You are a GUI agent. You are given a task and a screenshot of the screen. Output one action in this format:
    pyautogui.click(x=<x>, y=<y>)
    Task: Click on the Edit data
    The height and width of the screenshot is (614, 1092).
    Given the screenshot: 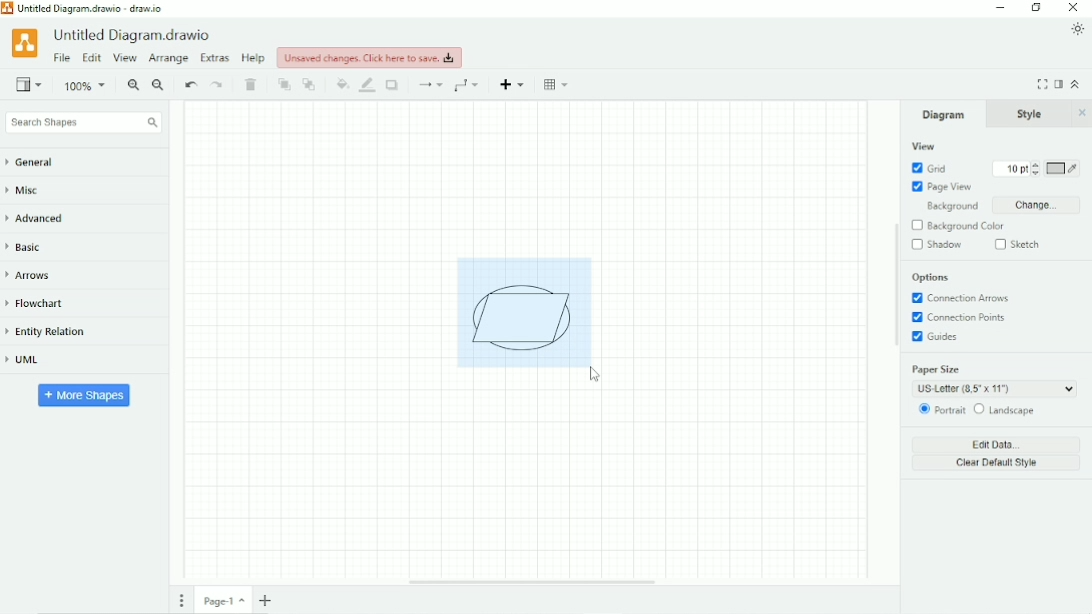 What is the action you would take?
    pyautogui.click(x=998, y=444)
    